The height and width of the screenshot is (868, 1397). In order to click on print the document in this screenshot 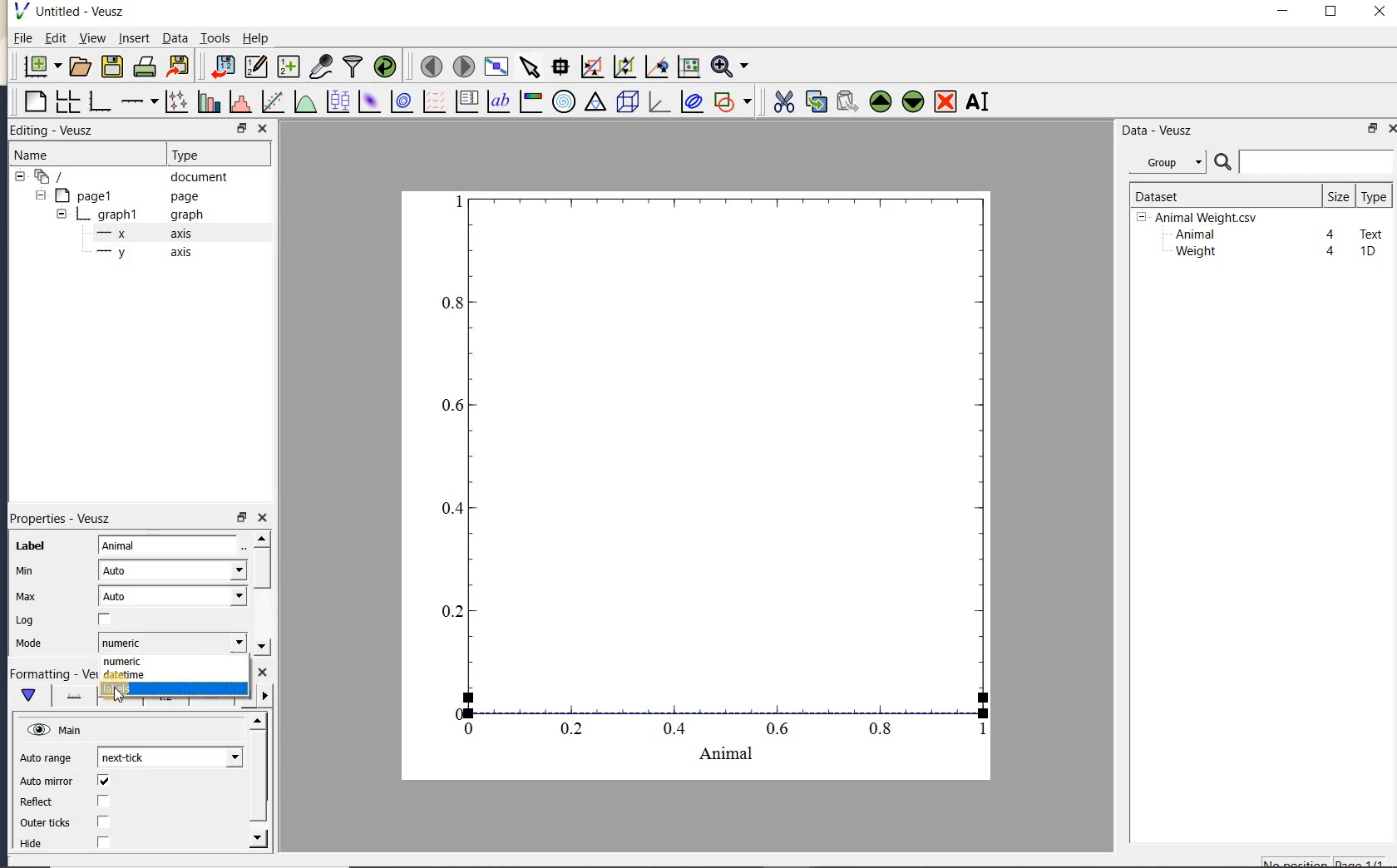, I will do `click(145, 67)`.